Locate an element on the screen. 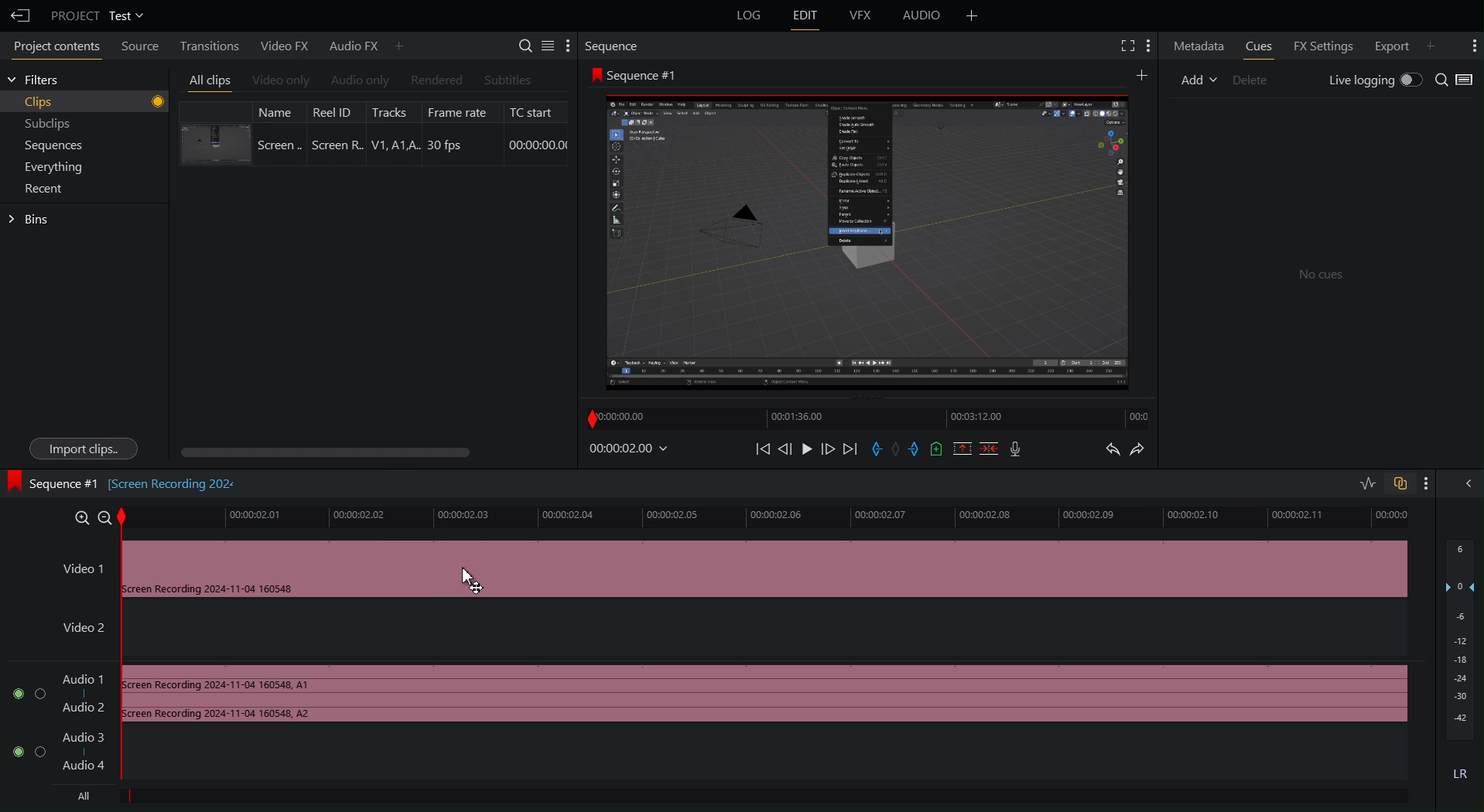 The height and width of the screenshot is (812, 1484). Audio FX is located at coordinates (362, 45).